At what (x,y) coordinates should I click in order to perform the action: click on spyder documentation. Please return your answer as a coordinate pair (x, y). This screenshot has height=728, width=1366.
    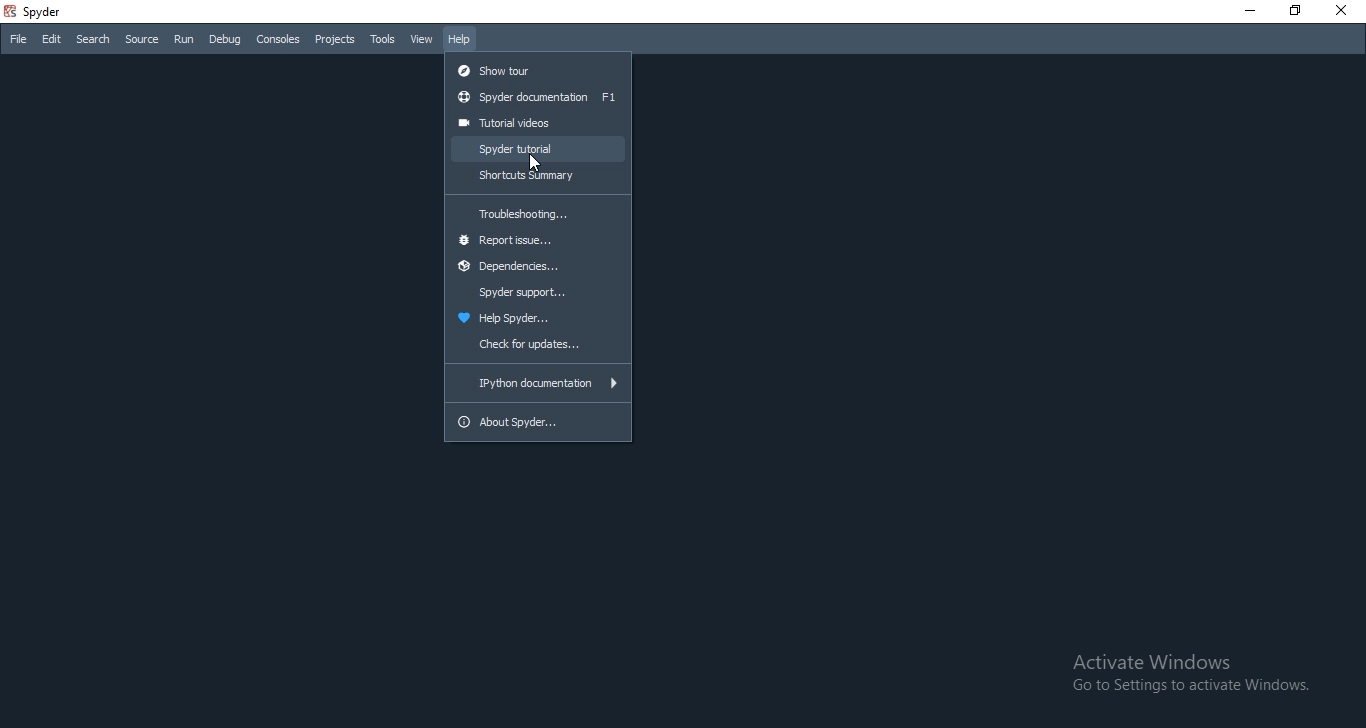
    Looking at the image, I should click on (536, 97).